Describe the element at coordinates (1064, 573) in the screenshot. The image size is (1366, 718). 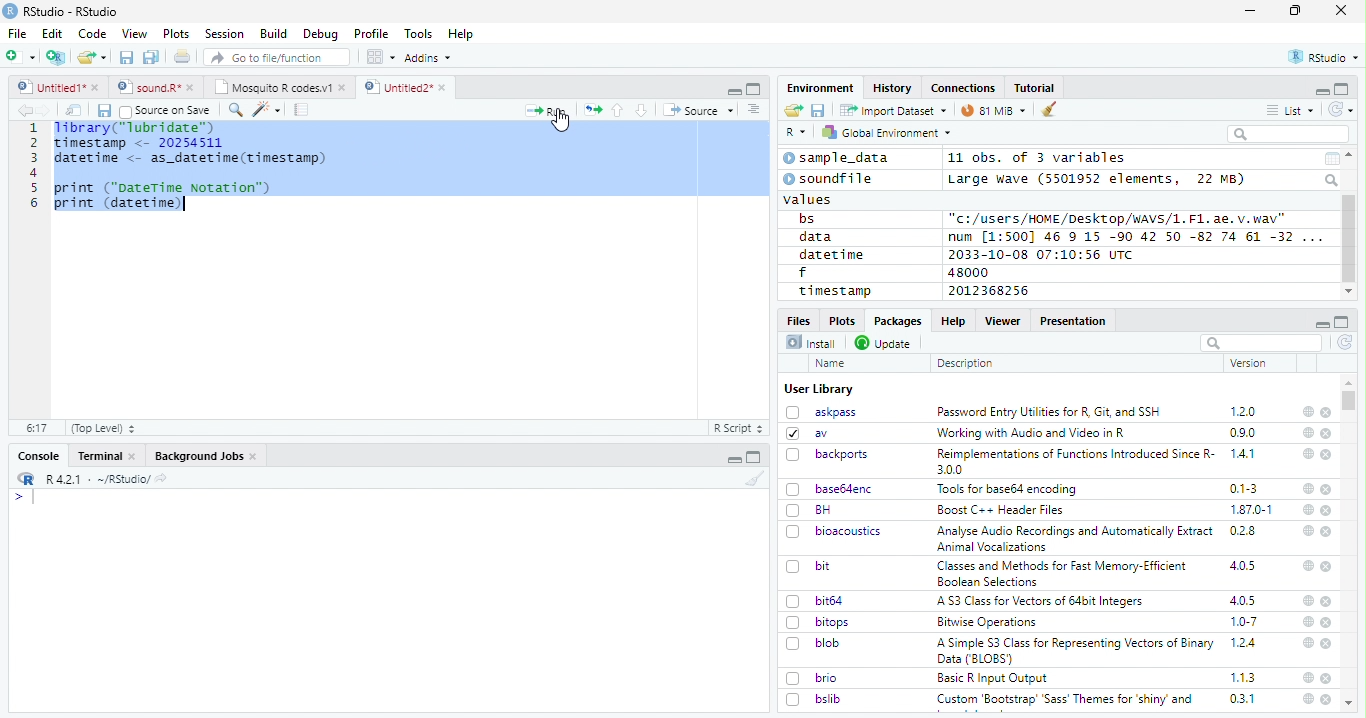
I see `(Classes and Methods for Fast Memory-Efficient
Boolean Selections` at that location.